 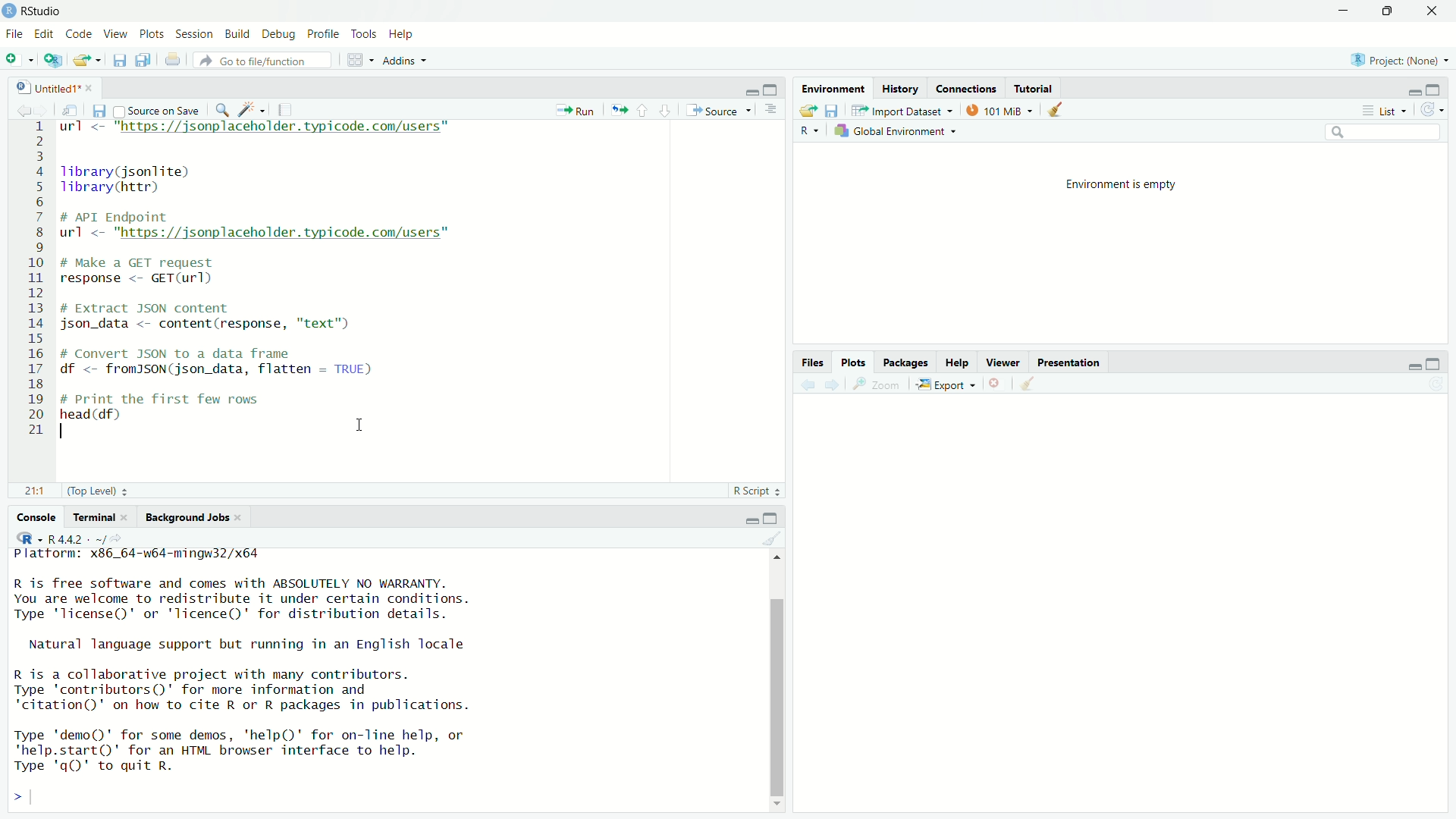 I want to click on Console, so click(x=35, y=519).